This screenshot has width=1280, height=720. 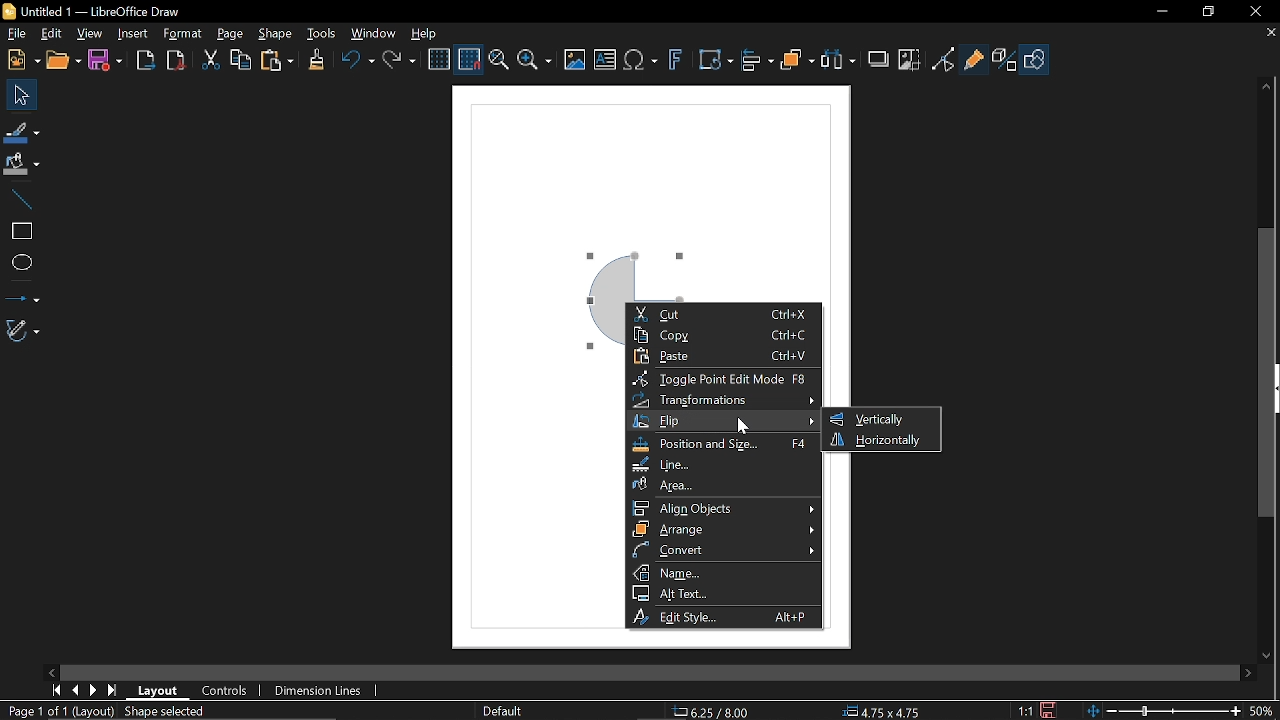 I want to click on Objects, so click(x=797, y=61).